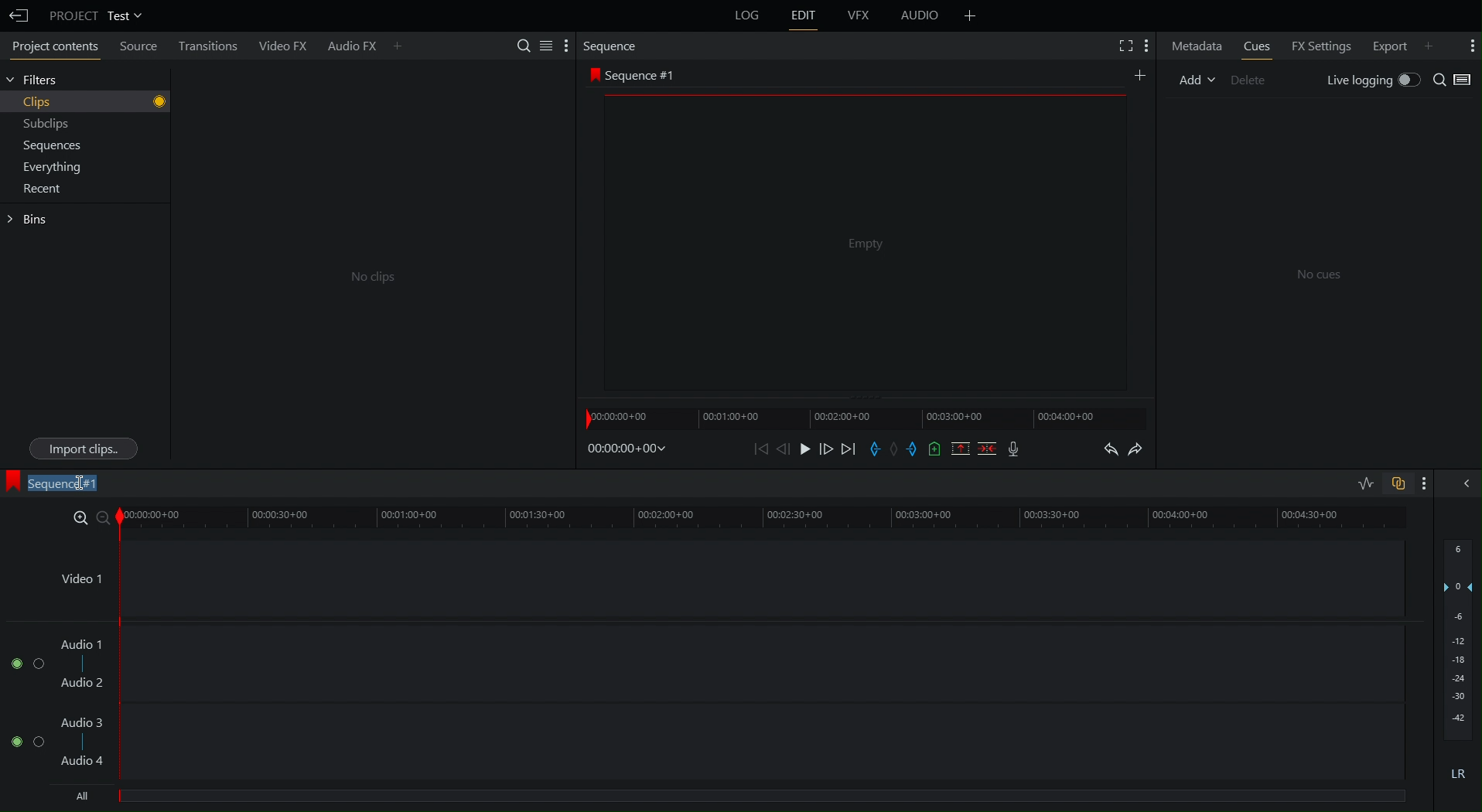 The width and height of the screenshot is (1482, 812). Describe the element at coordinates (897, 449) in the screenshot. I see `Remove Marker` at that location.